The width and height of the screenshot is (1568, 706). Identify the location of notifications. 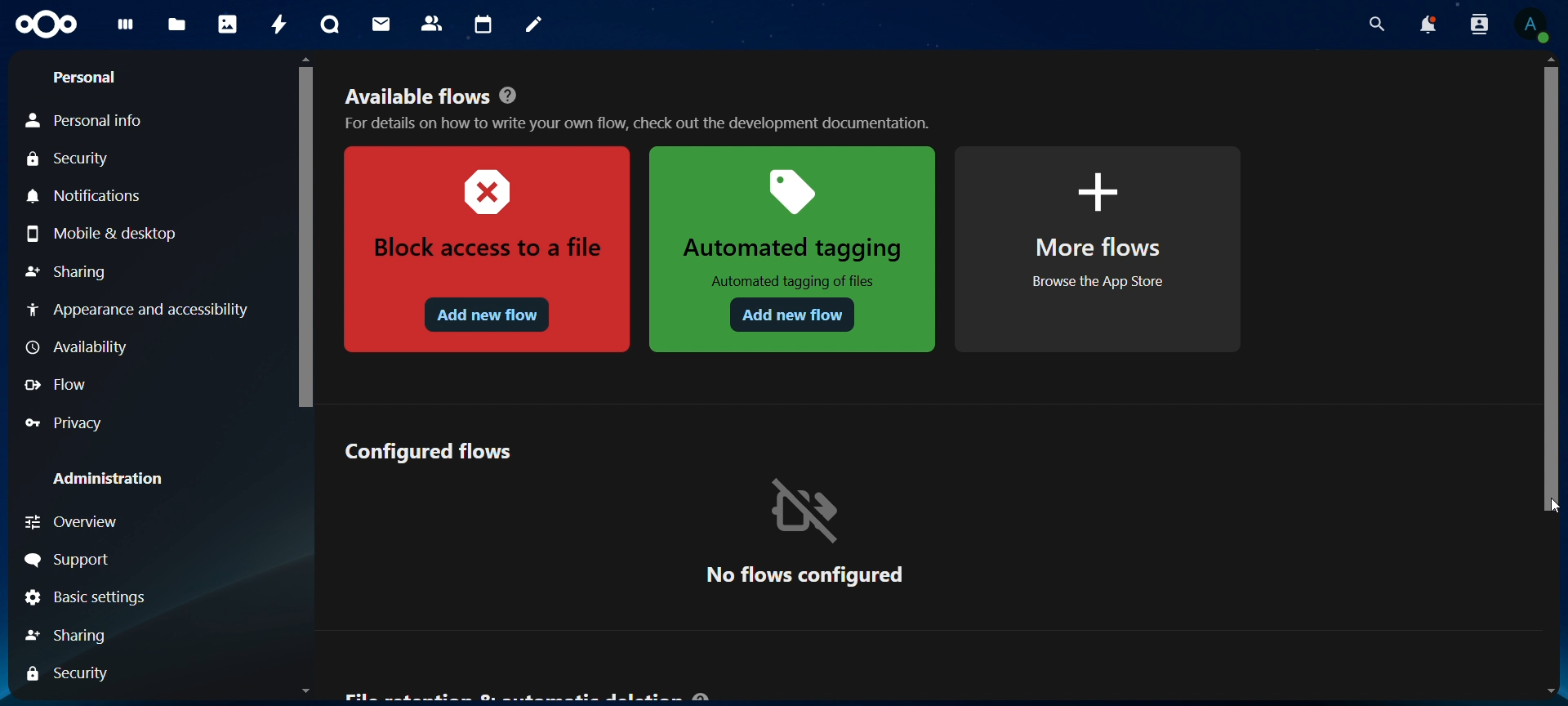
(89, 197).